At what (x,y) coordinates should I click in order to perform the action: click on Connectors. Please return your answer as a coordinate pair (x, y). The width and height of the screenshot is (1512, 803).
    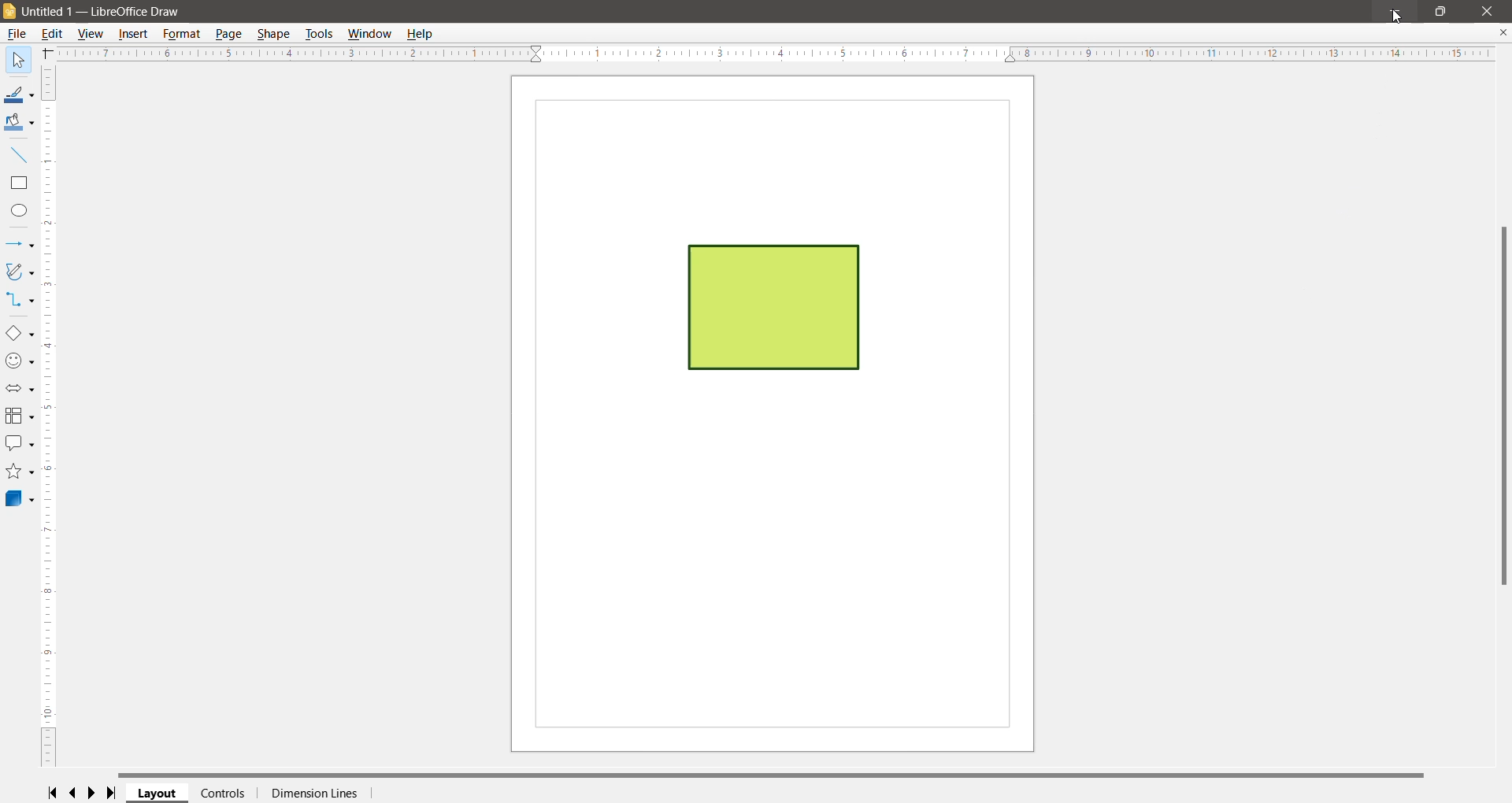
    Looking at the image, I should click on (18, 301).